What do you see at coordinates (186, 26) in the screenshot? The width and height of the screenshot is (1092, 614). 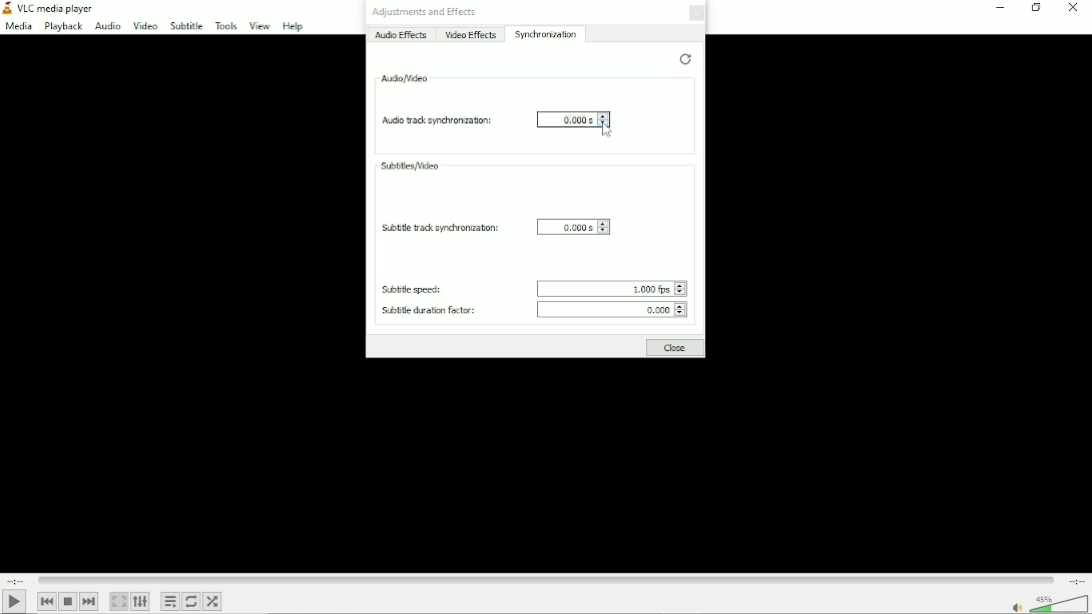 I see `Subtitle` at bounding box center [186, 26].